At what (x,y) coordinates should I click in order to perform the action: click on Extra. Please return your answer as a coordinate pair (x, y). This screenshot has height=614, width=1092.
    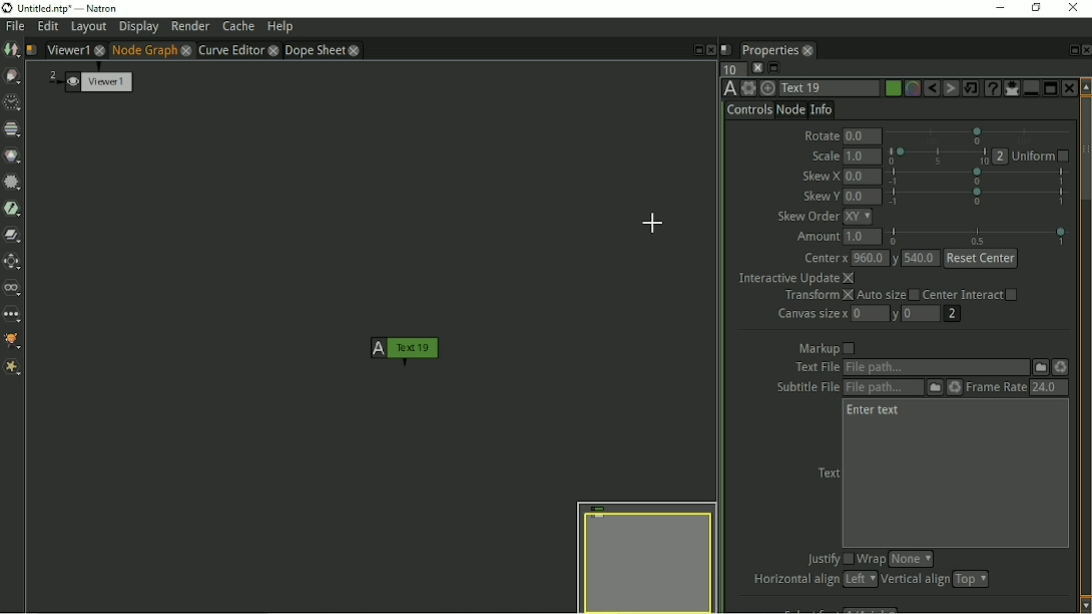
    Looking at the image, I should click on (16, 369).